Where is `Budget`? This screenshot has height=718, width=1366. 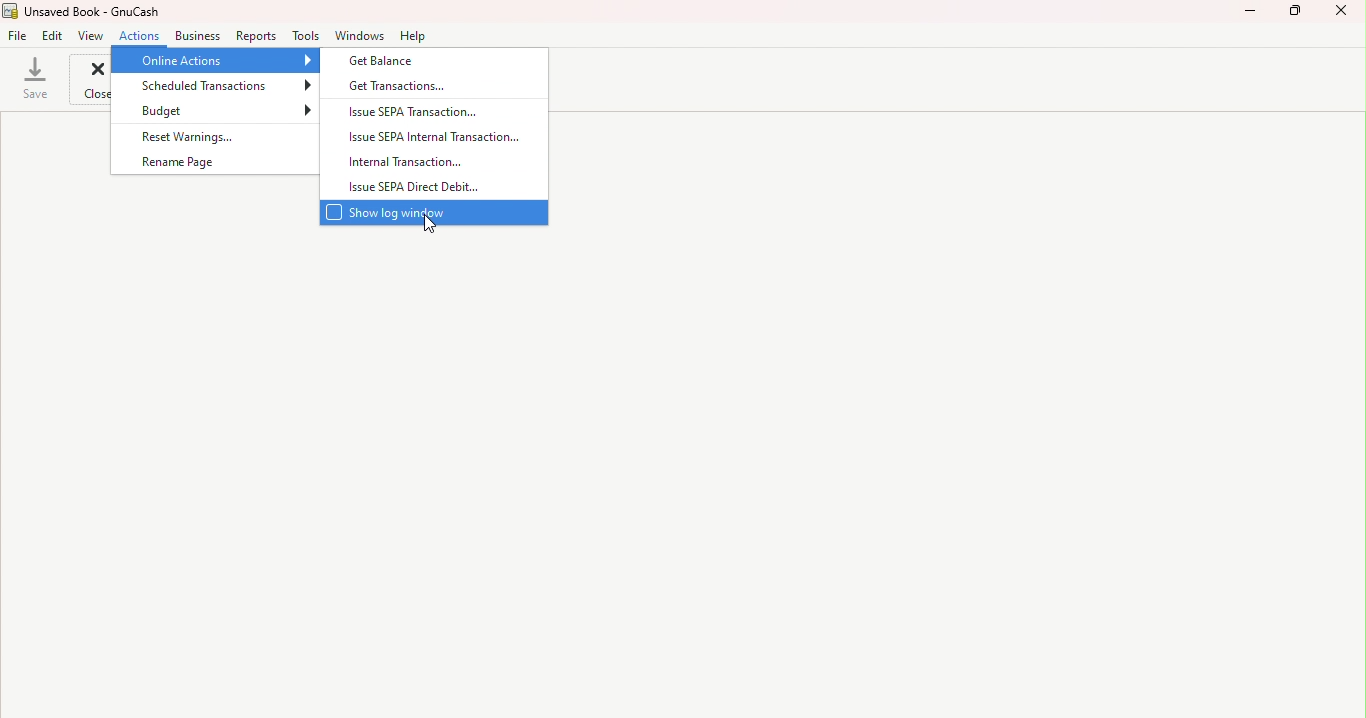 Budget is located at coordinates (219, 110).